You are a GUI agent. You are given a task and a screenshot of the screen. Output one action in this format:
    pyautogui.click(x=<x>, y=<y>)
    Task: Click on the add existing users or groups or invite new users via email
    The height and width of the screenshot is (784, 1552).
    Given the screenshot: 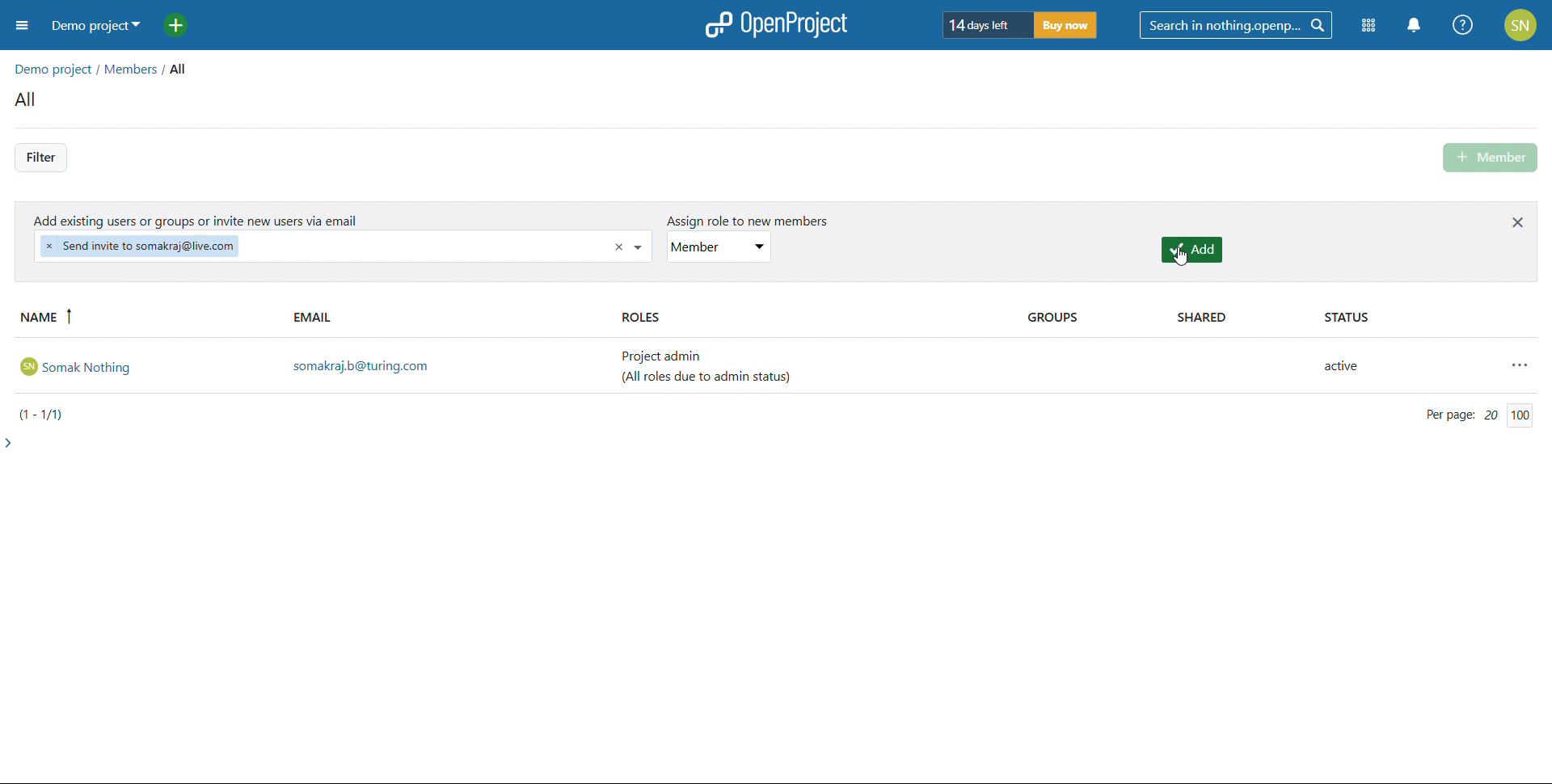 What is the action you would take?
    pyautogui.click(x=198, y=219)
    